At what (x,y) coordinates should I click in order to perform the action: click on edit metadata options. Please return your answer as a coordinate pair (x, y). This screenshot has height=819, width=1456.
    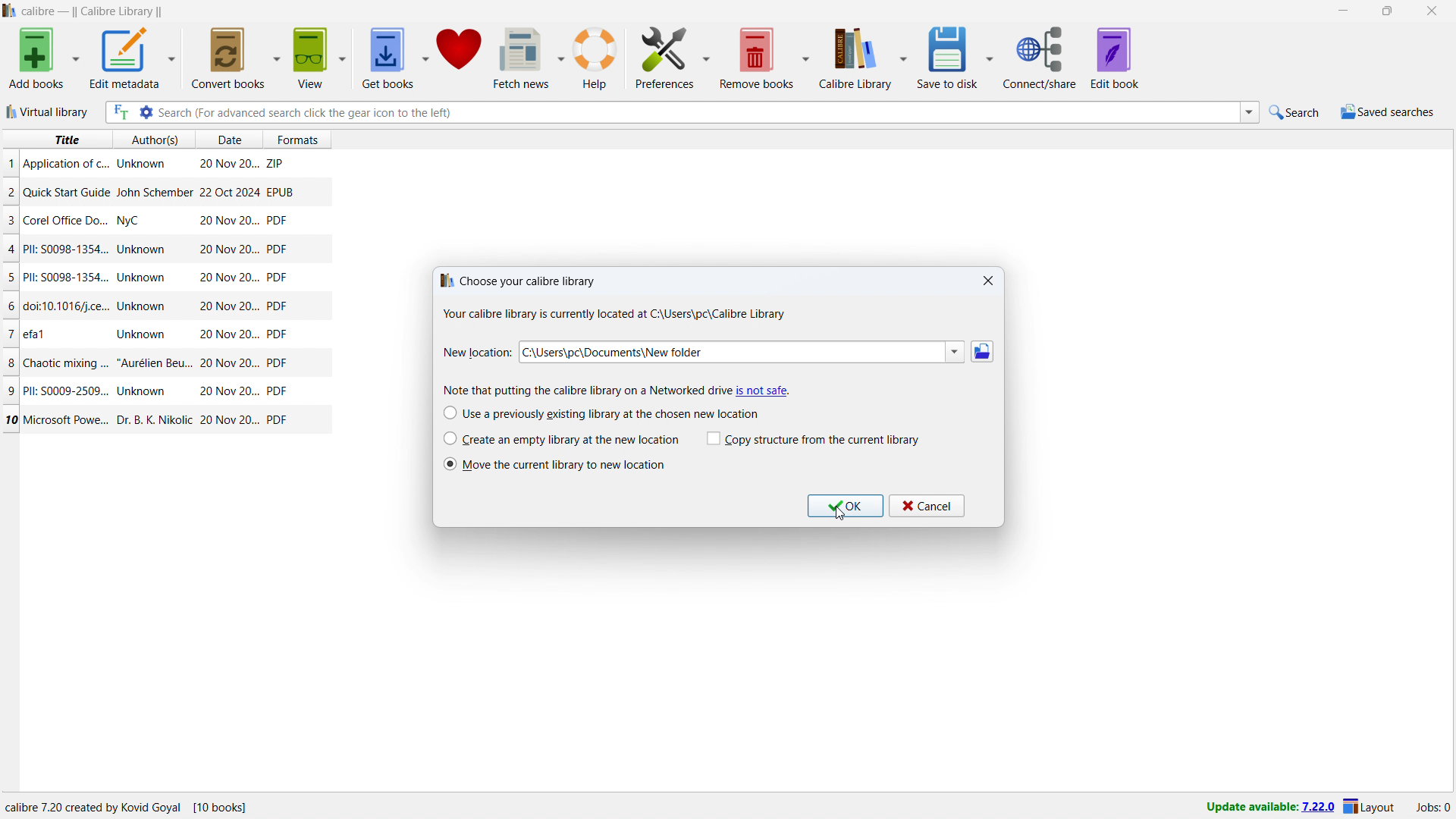
    Looking at the image, I should click on (171, 58).